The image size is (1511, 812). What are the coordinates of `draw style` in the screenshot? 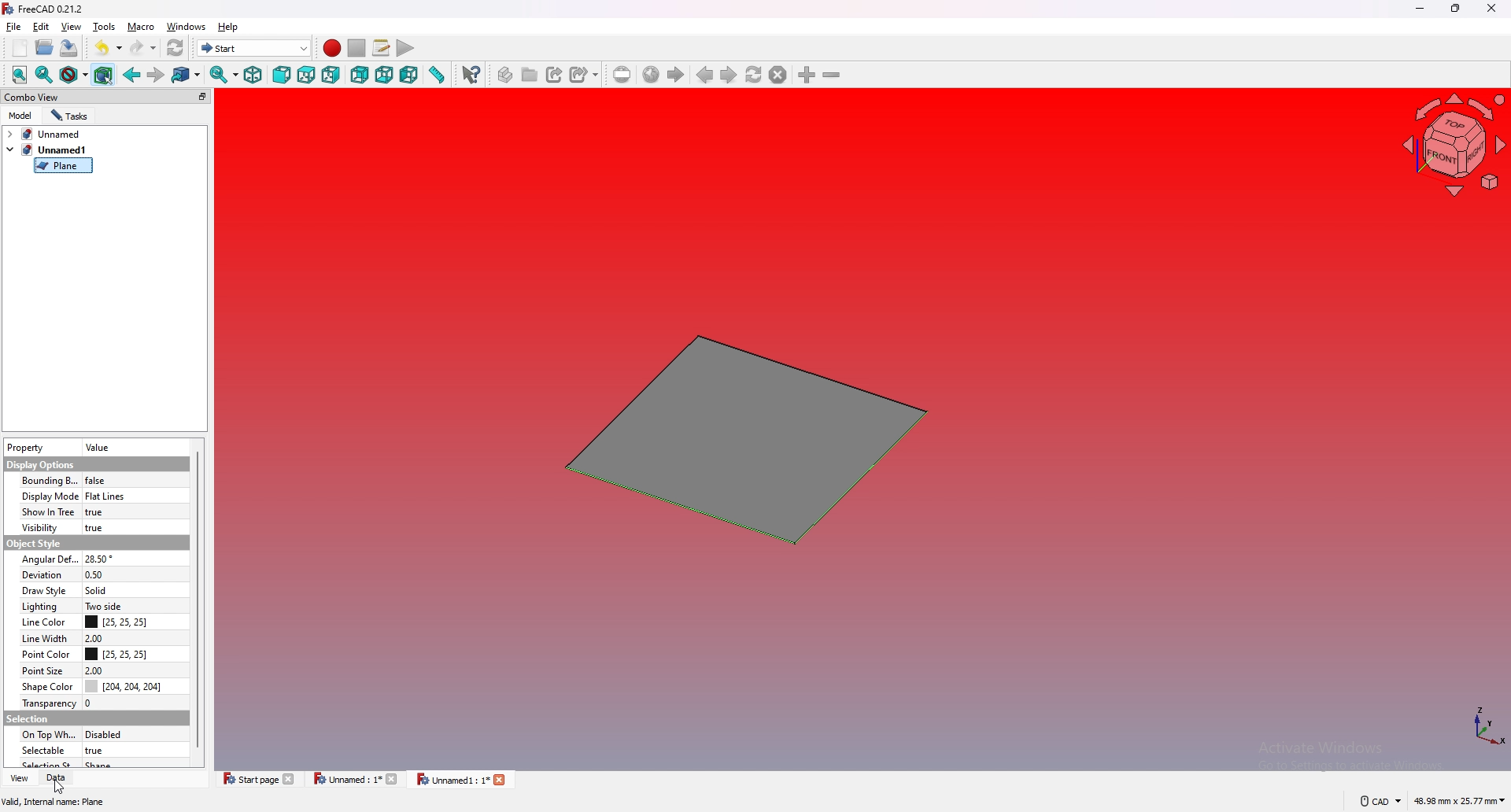 It's located at (42, 590).